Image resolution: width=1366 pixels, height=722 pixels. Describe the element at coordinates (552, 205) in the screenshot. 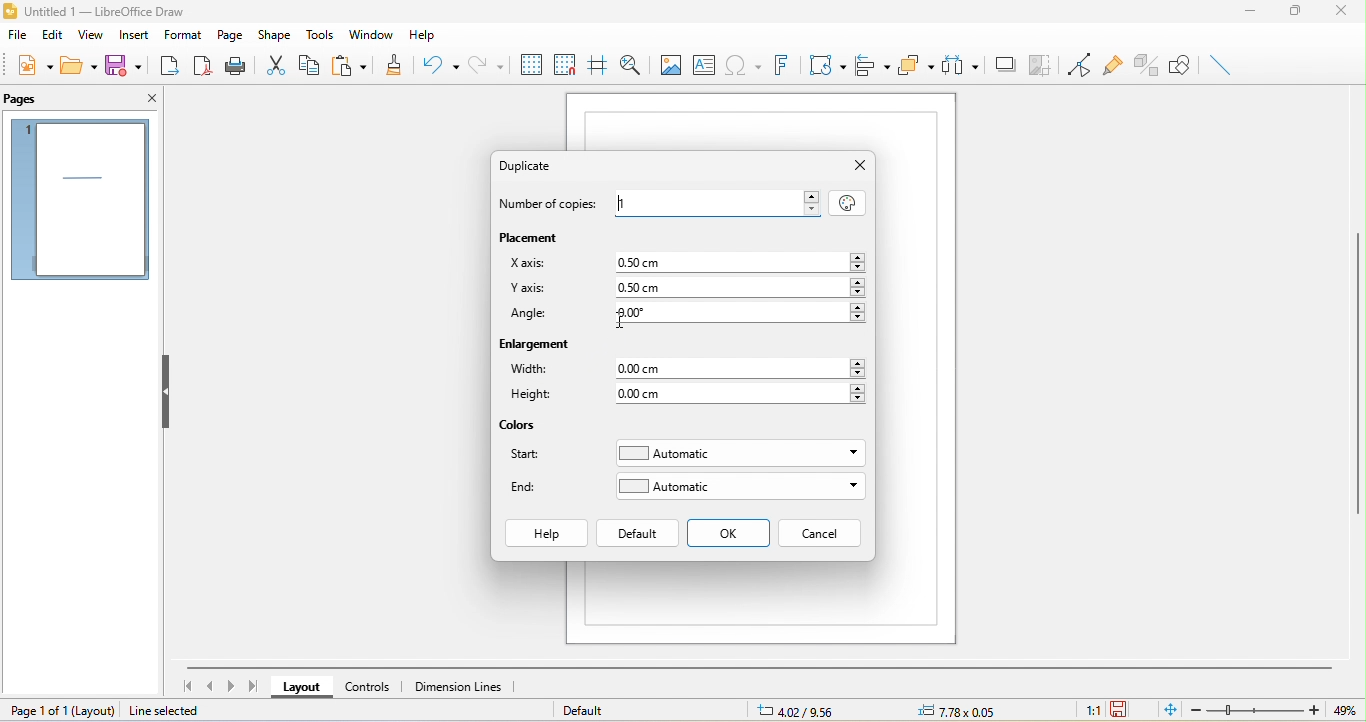

I see `number of copies` at that location.